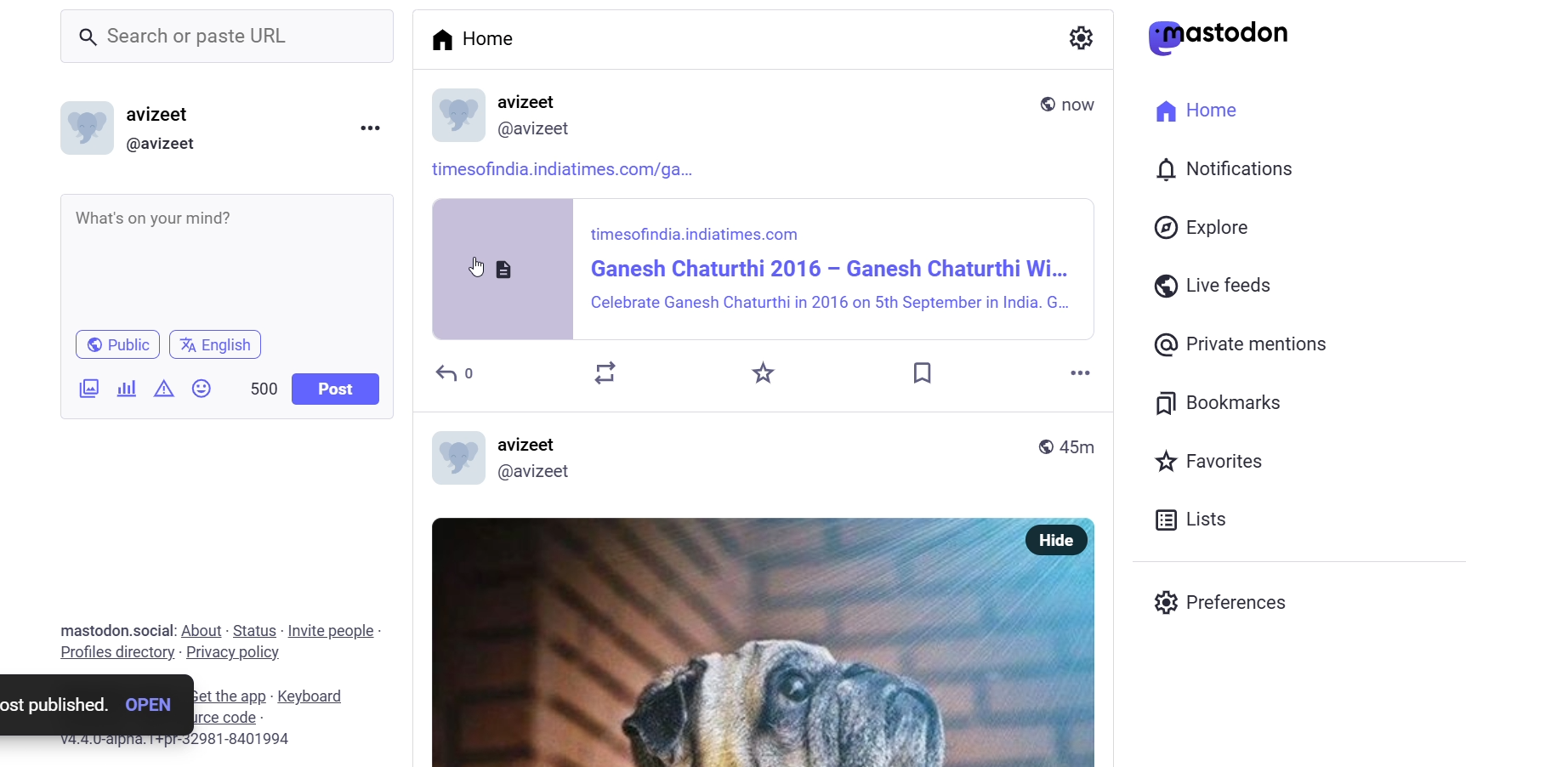 Image resolution: width=1568 pixels, height=767 pixels. What do you see at coordinates (120, 344) in the screenshot?
I see ` Public` at bounding box center [120, 344].